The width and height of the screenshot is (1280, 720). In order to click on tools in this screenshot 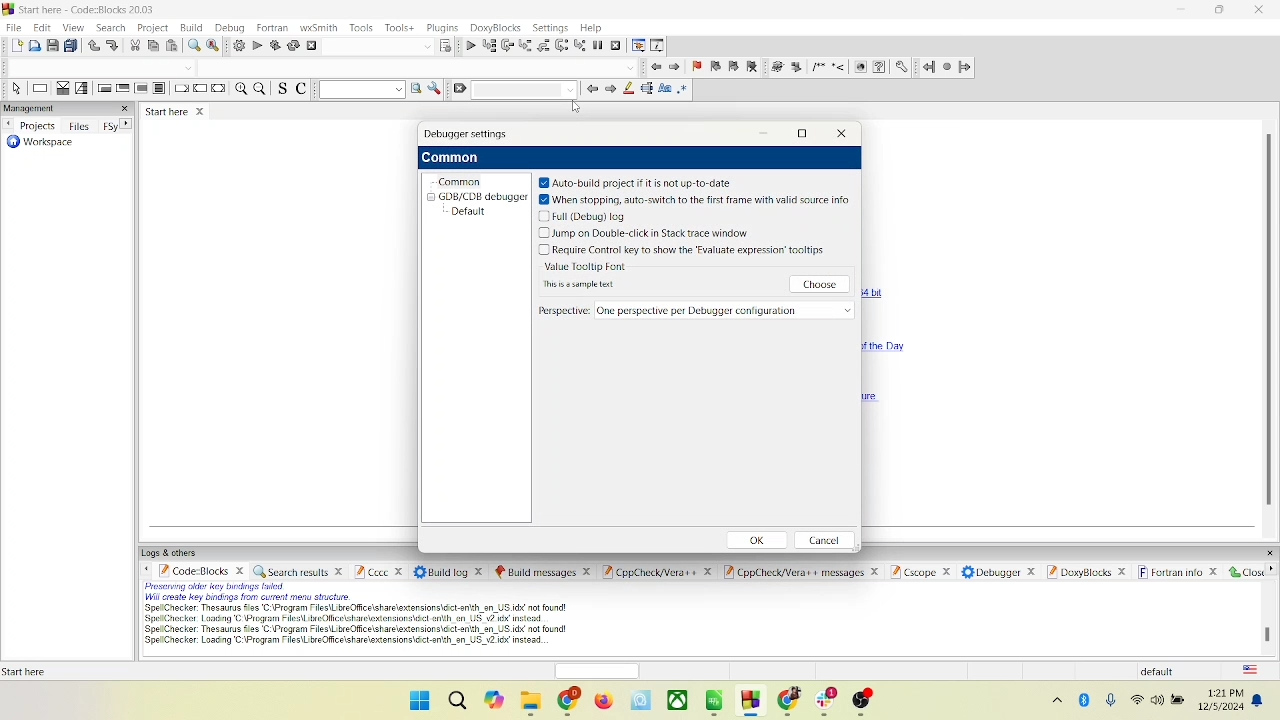, I will do `click(401, 28)`.